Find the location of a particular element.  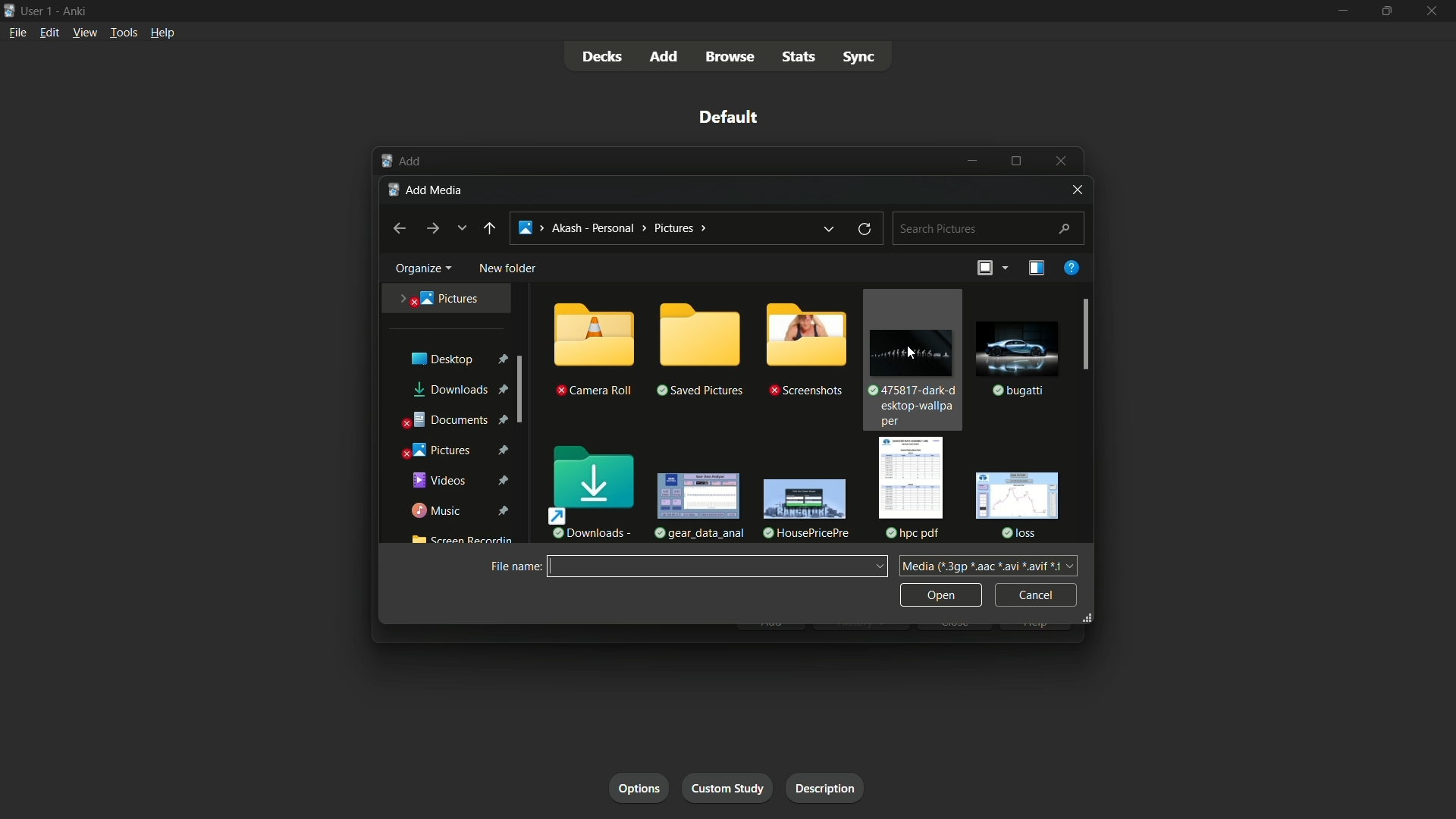

search bar is located at coordinates (987, 227).